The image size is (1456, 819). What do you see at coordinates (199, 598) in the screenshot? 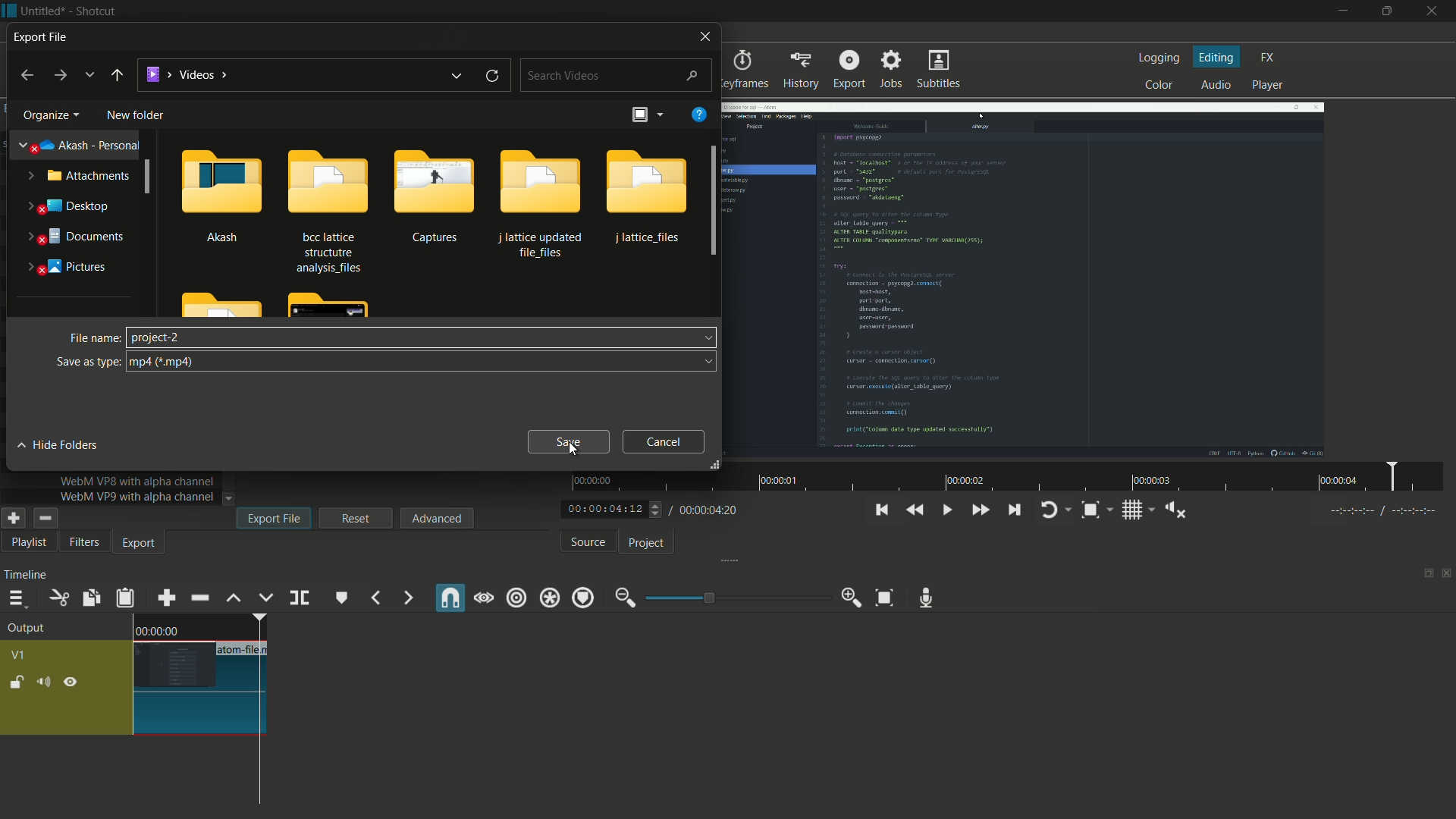
I see `ripple delete` at bounding box center [199, 598].